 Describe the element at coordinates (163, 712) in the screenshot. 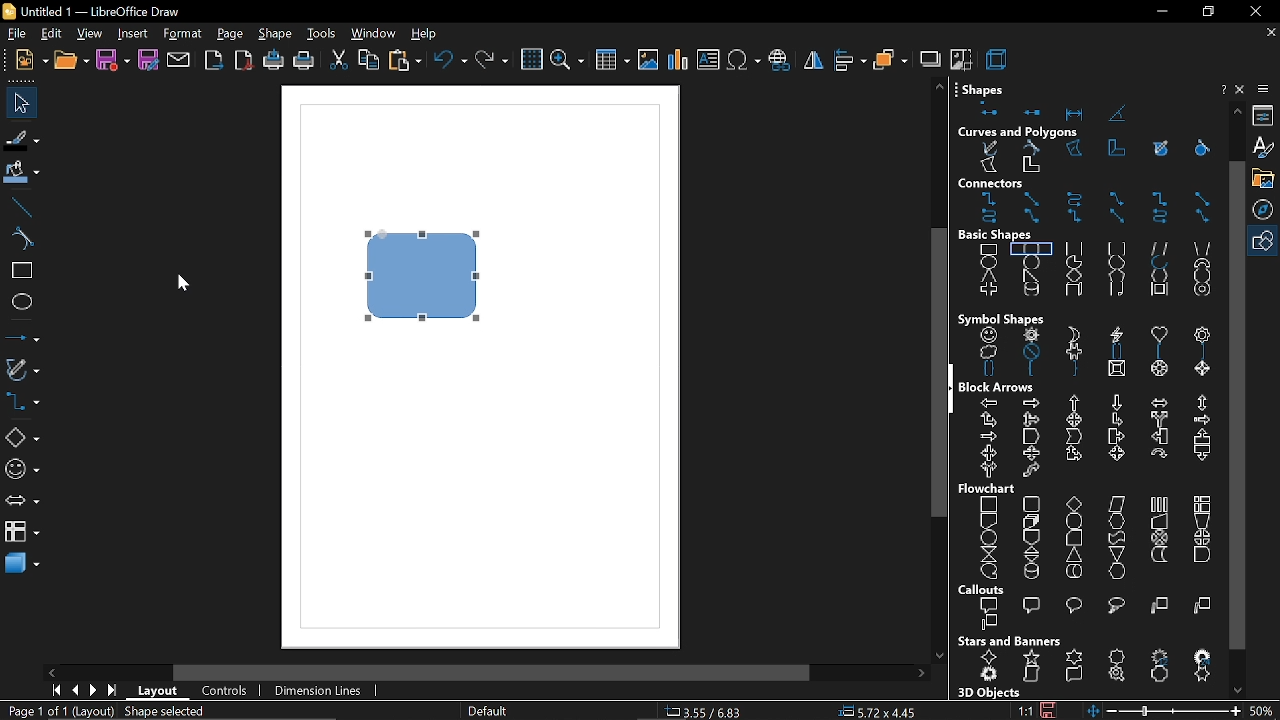

I see `shape selected` at that location.